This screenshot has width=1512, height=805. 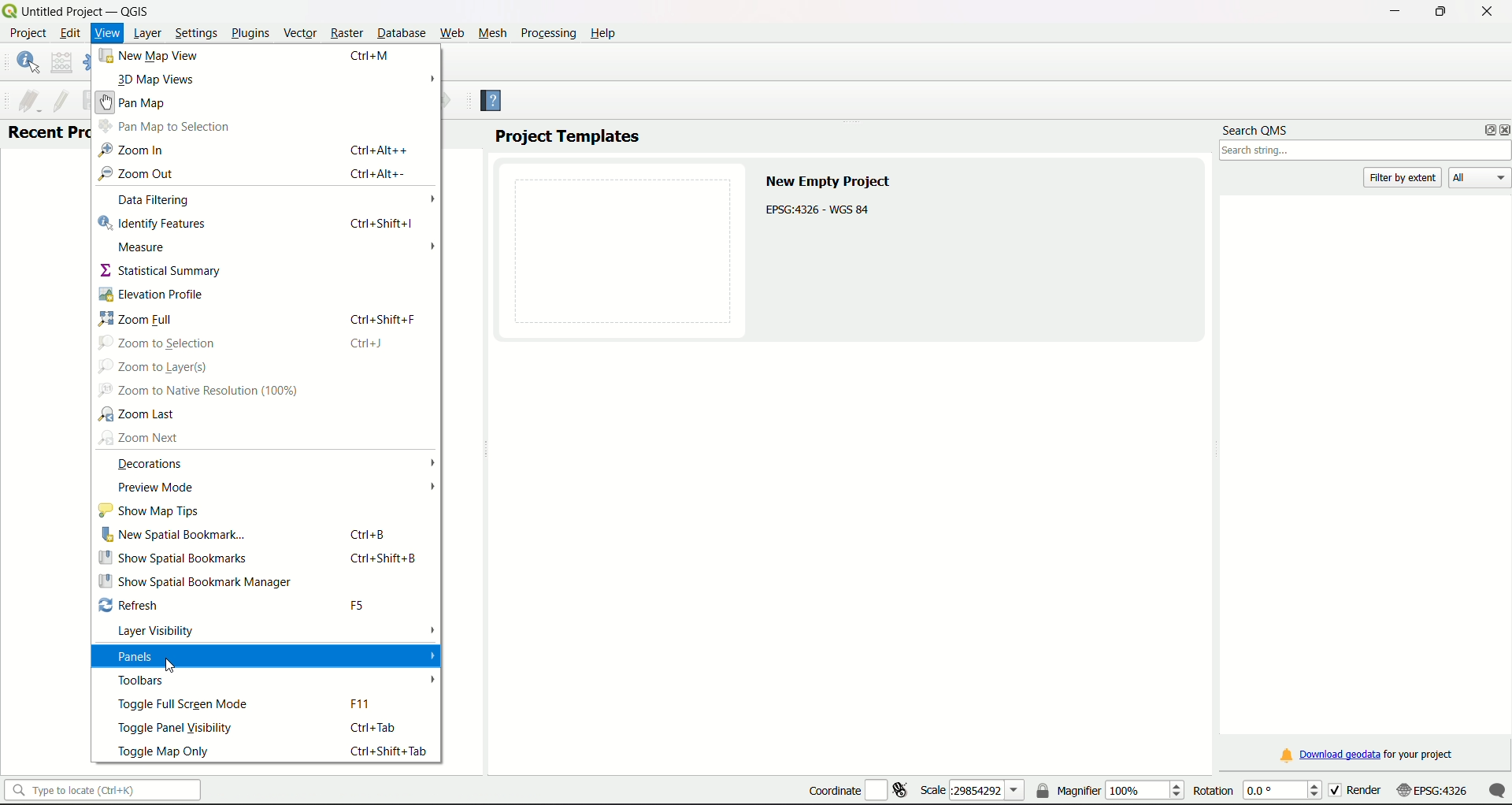 I want to click on zoom last, so click(x=135, y=415).